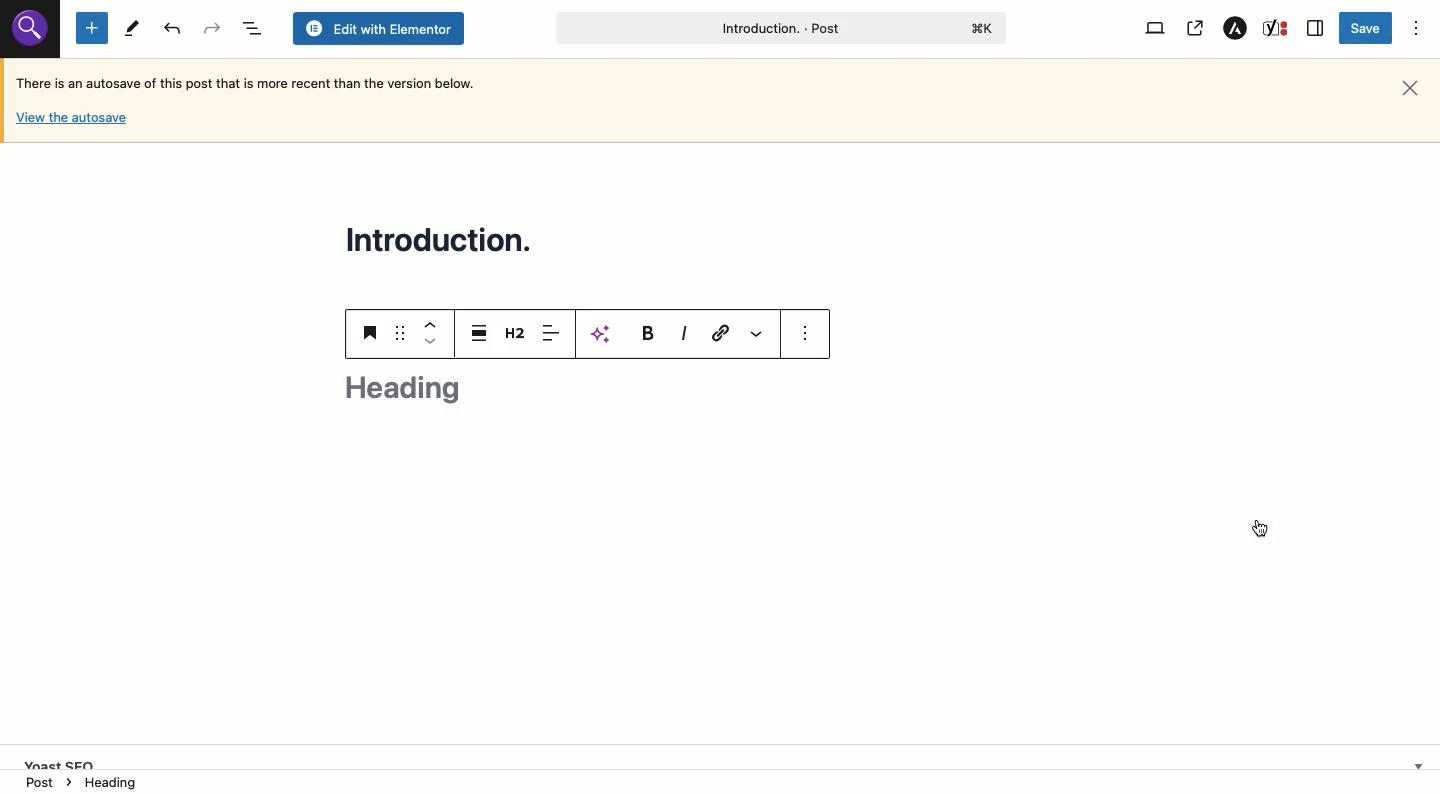 This screenshot has height=794, width=1440. Describe the element at coordinates (1158, 29) in the screenshot. I see `View` at that location.